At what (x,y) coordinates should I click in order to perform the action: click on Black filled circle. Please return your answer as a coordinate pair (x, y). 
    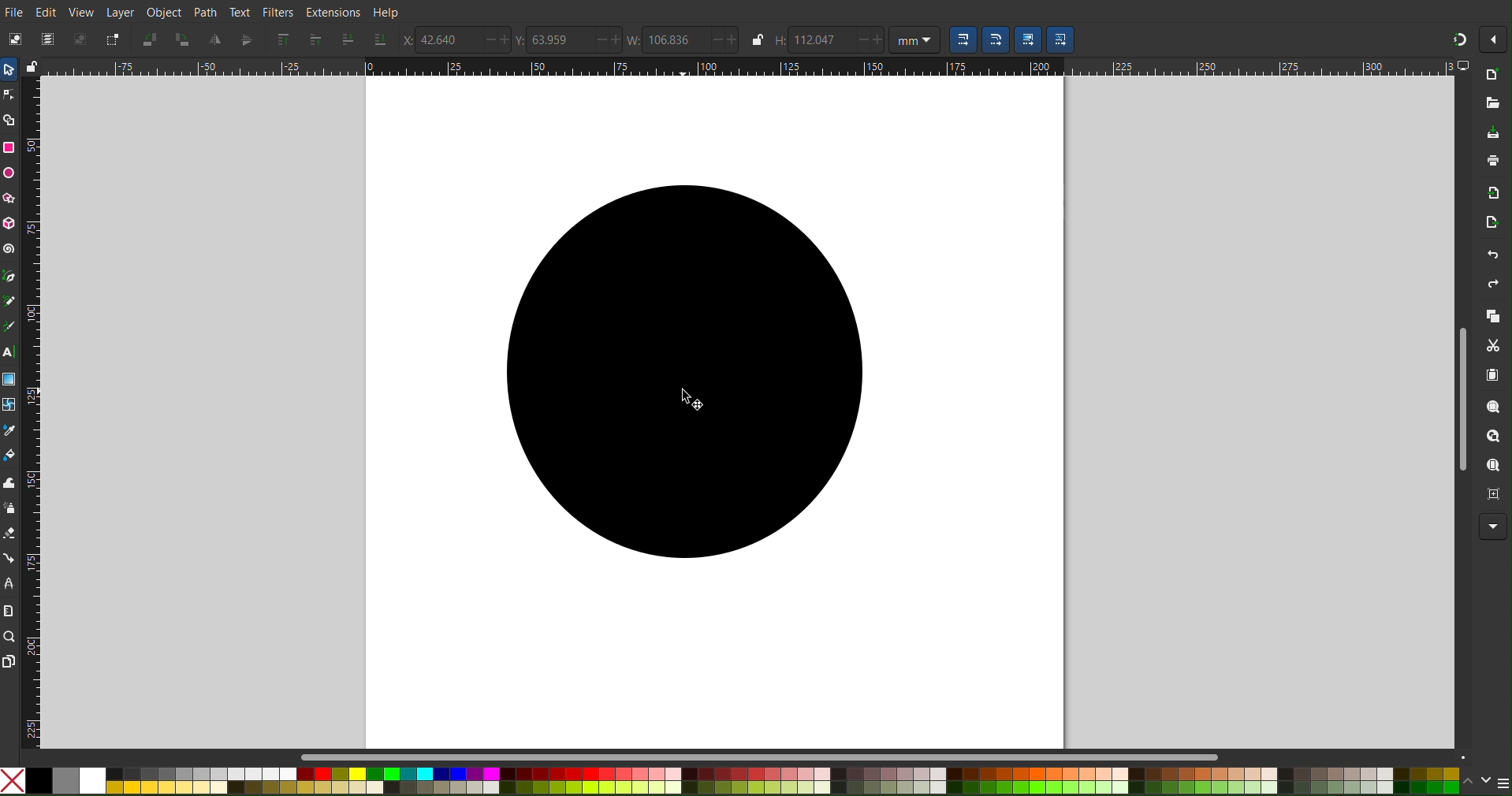
    Looking at the image, I should click on (687, 376).